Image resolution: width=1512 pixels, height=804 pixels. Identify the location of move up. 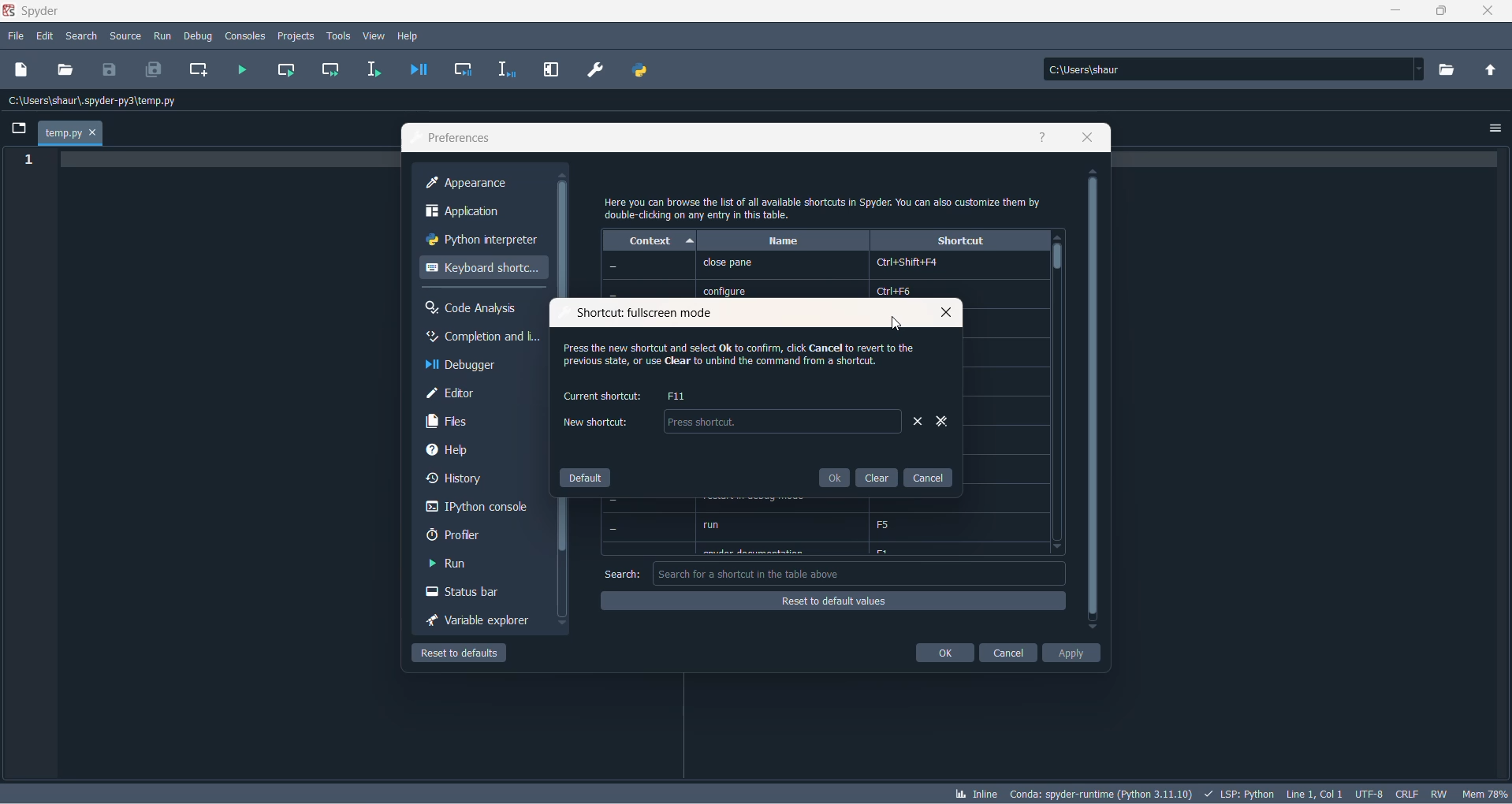
(564, 175).